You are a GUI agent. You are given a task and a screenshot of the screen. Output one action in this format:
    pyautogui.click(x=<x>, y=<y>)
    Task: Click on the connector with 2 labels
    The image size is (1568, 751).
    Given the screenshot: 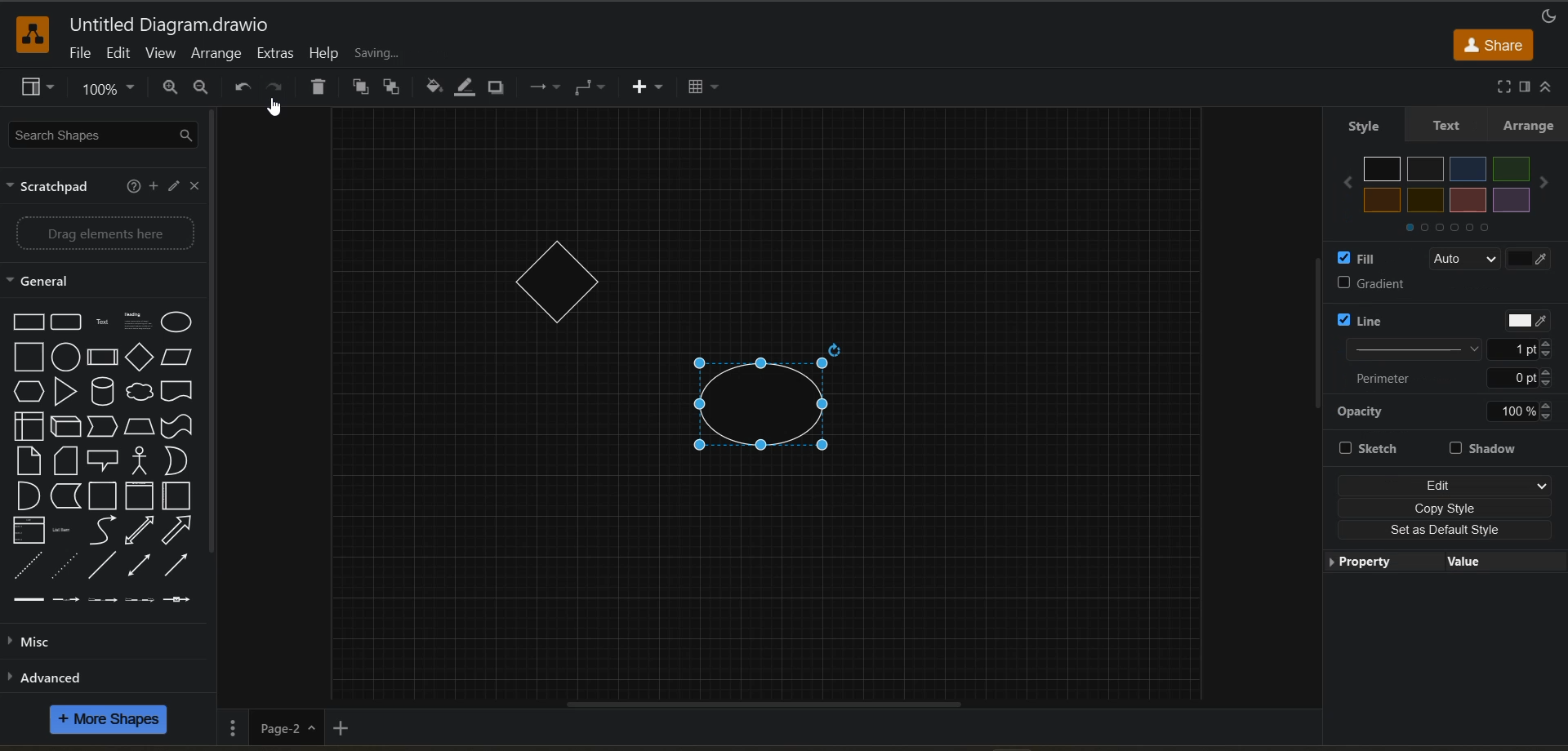 What is the action you would take?
    pyautogui.click(x=101, y=599)
    